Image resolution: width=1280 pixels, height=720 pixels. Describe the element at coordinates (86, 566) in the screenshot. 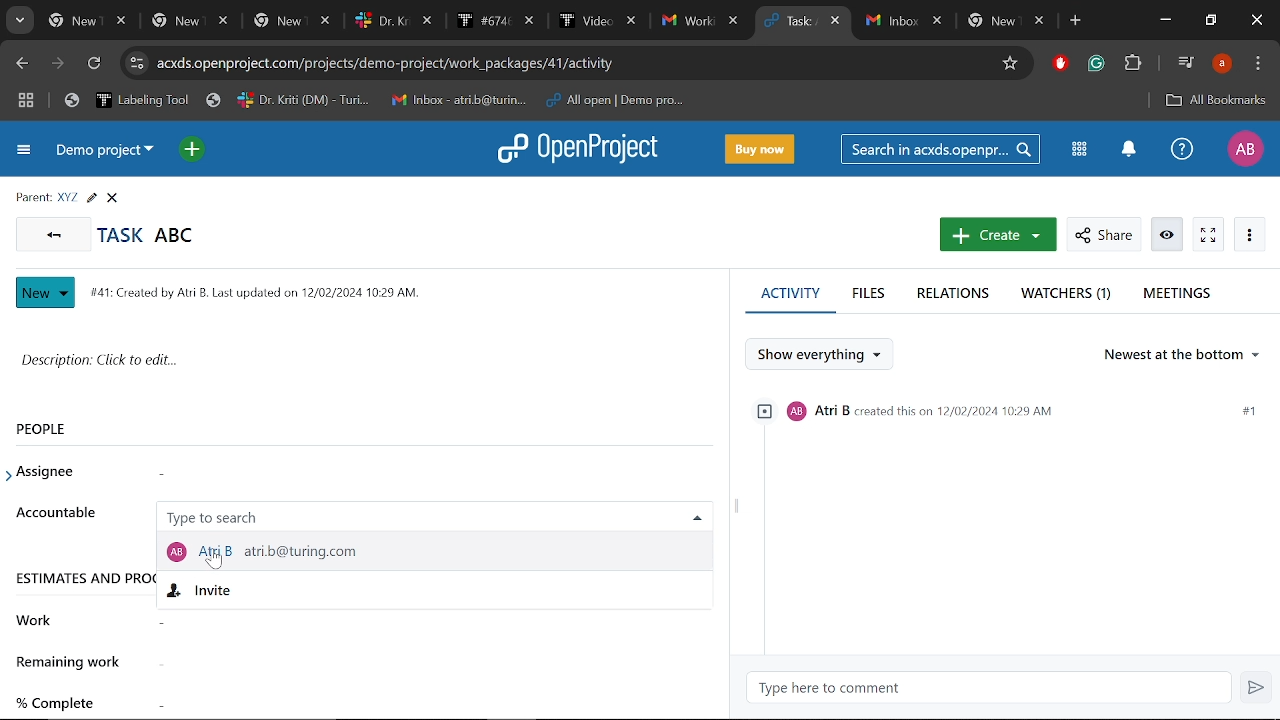

I see `Estimates and progress` at that location.